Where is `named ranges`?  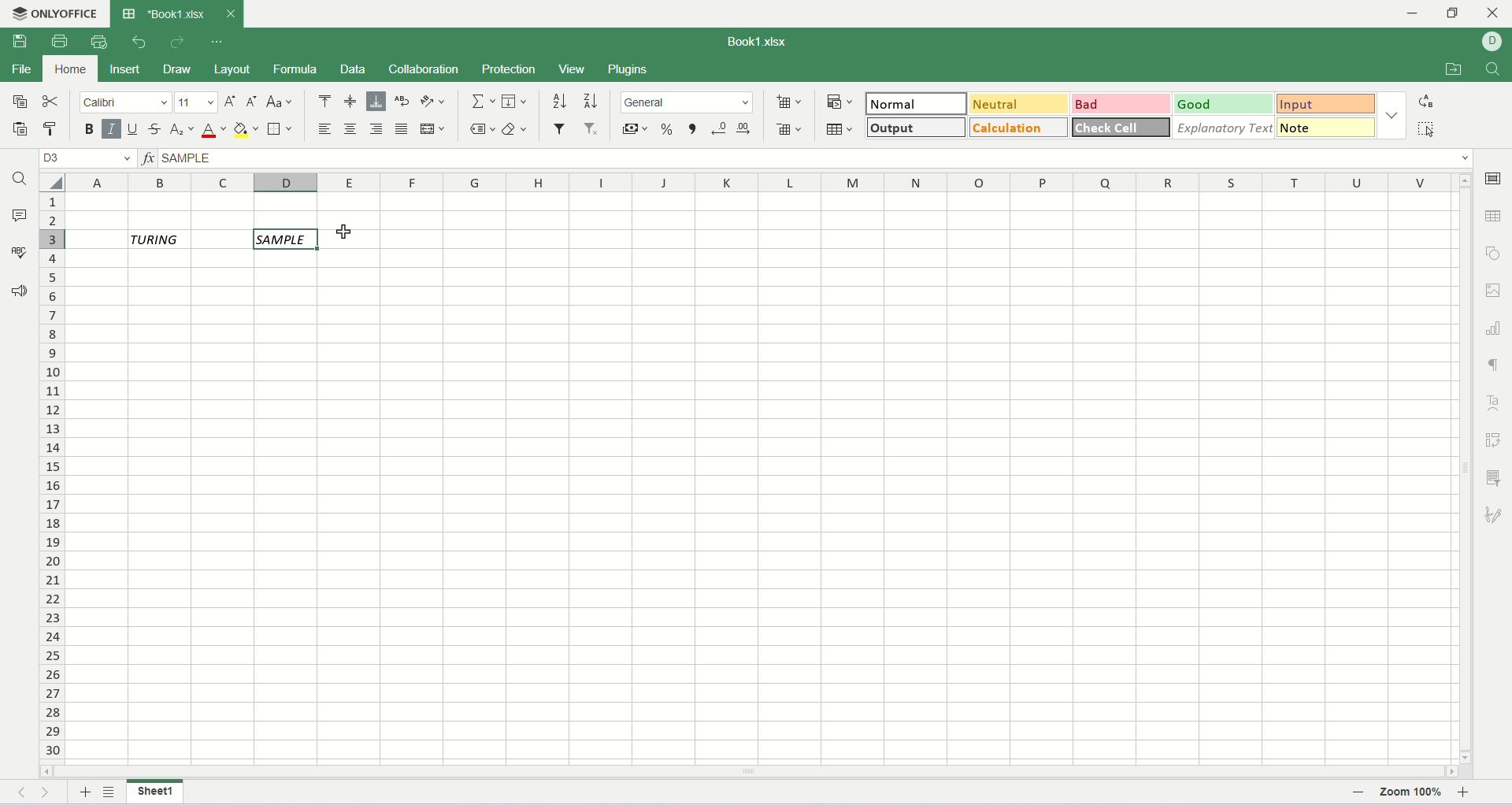
named ranges is located at coordinates (484, 129).